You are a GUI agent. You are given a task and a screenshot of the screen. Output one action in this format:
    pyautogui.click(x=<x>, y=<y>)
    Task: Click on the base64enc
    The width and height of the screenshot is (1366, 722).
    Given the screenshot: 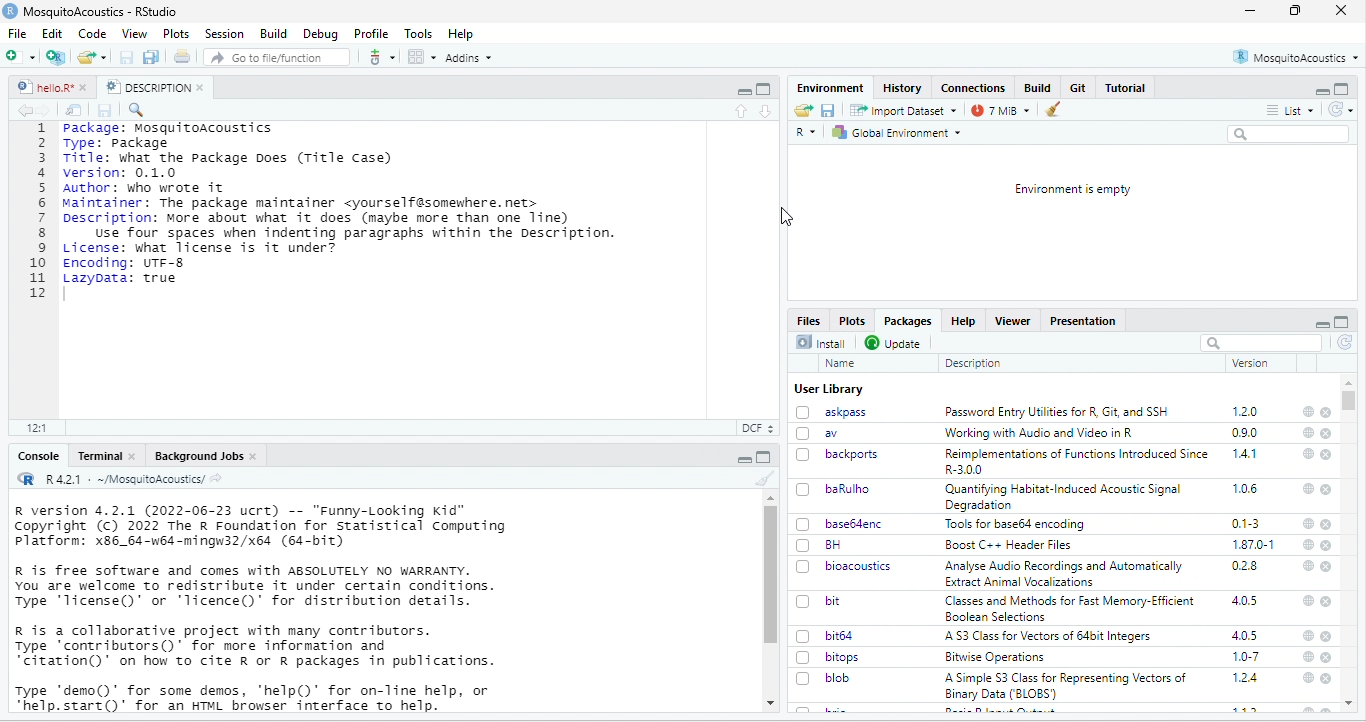 What is the action you would take?
    pyautogui.click(x=840, y=524)
    